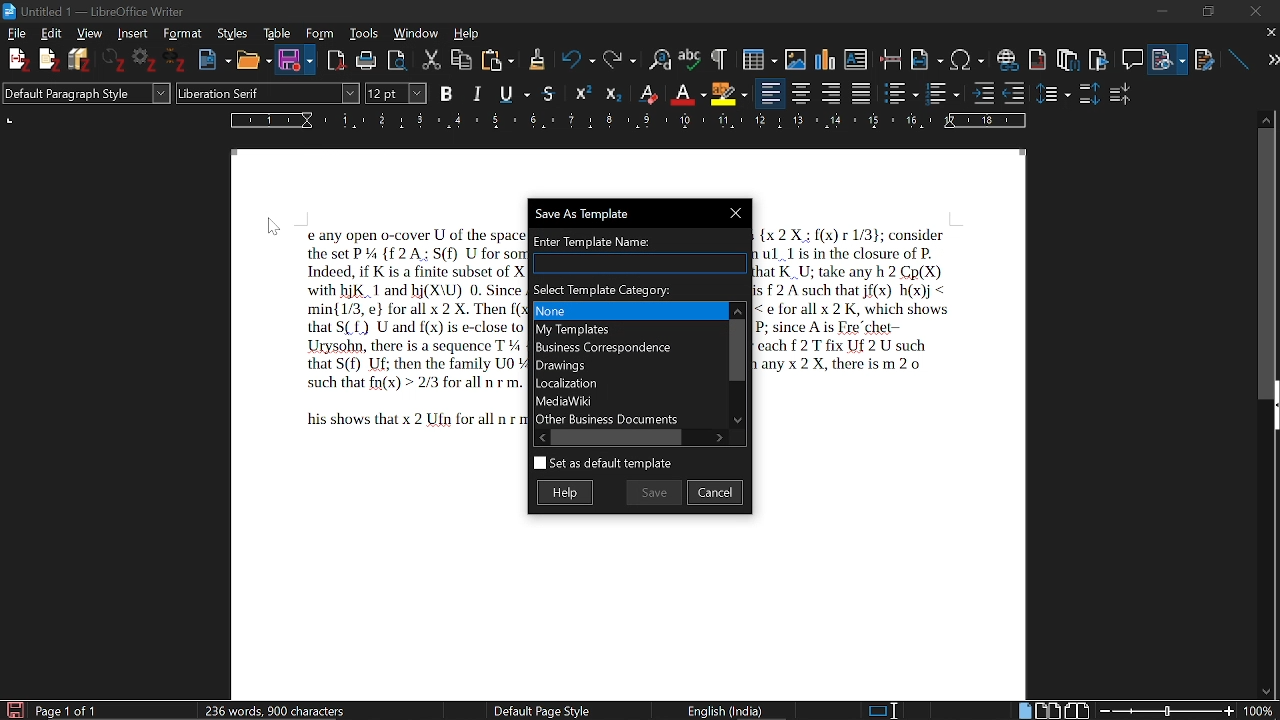  Describe the element at coordinates (1051, 709) in the screenshot. I see `Multiple pages` at that location.